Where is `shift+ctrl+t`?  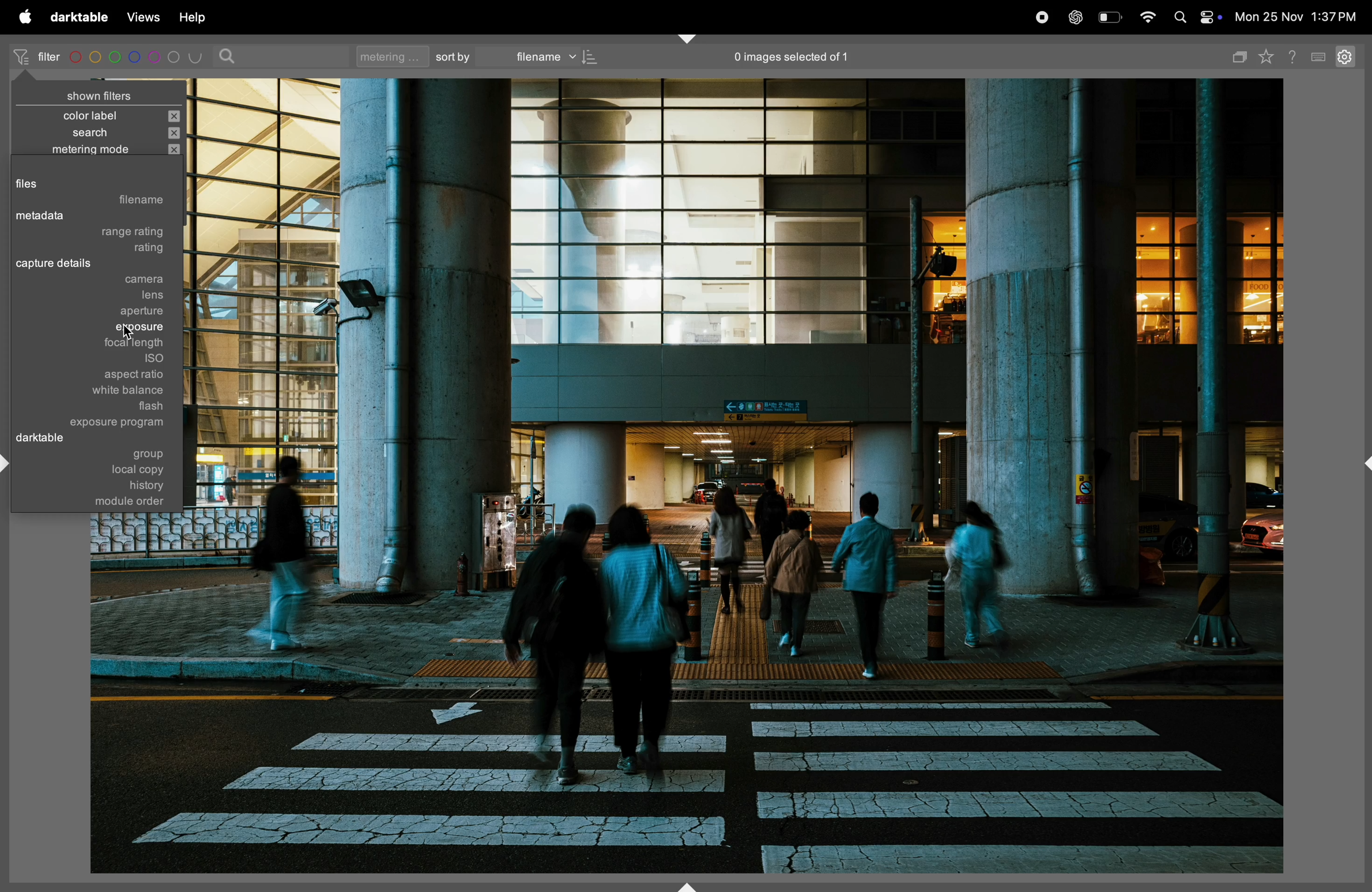 shift+ctrl+t is located at coordinates (687, 38).